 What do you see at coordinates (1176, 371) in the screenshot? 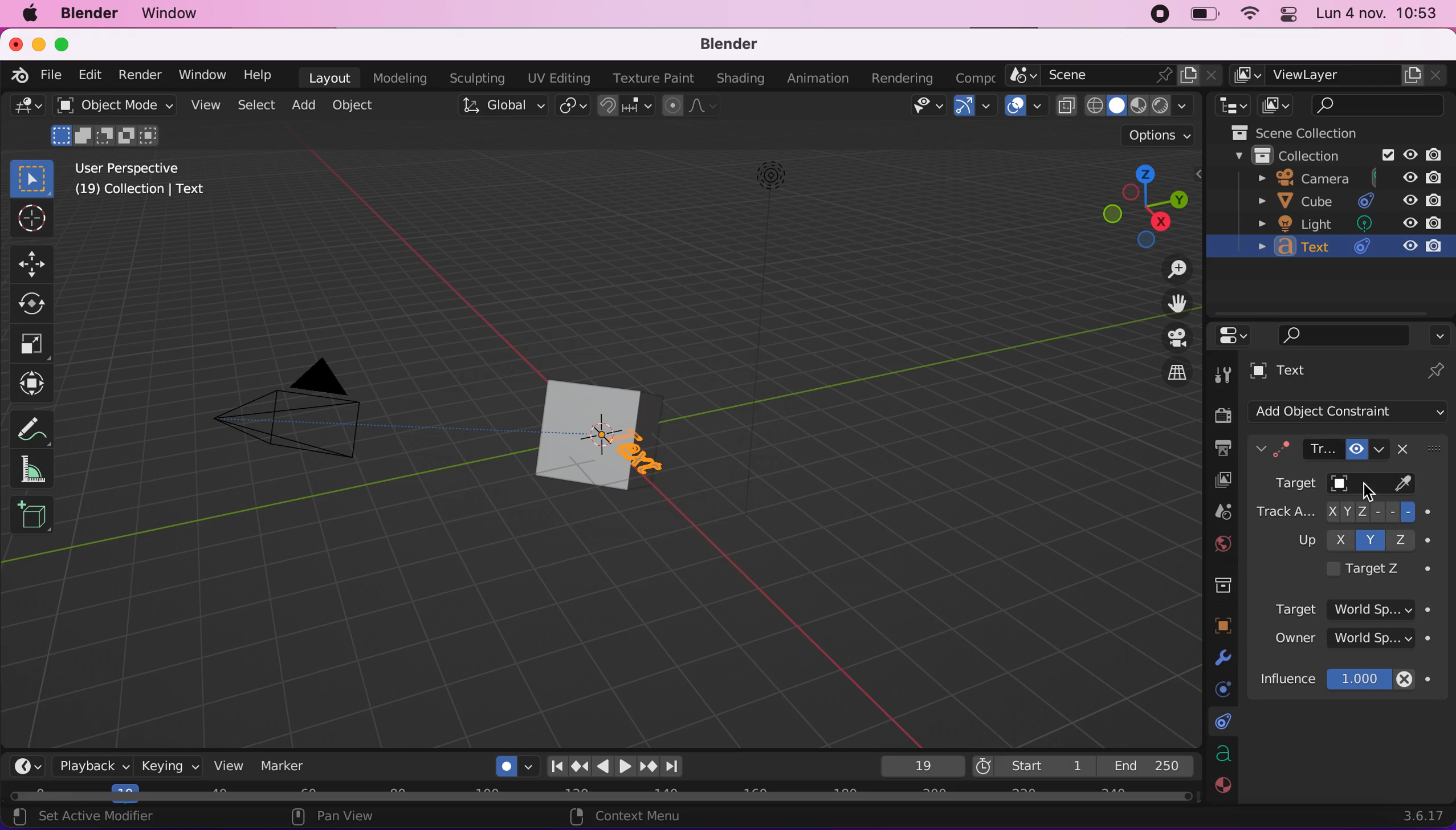
I see `switch the current view` at bounding box center [1176, 371].